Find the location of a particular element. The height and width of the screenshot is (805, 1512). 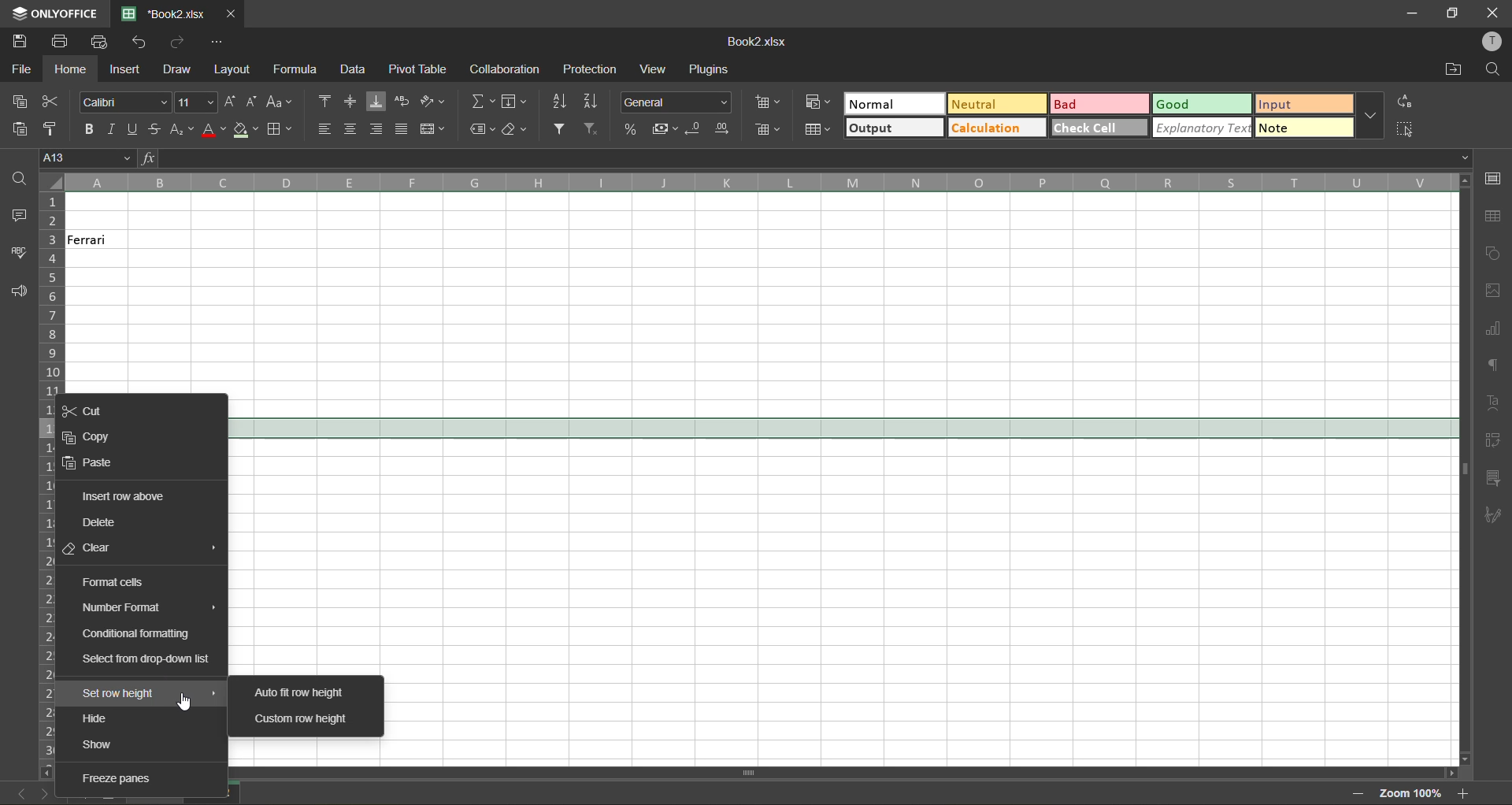

decrease decimal is located at coordinates (696, 128).